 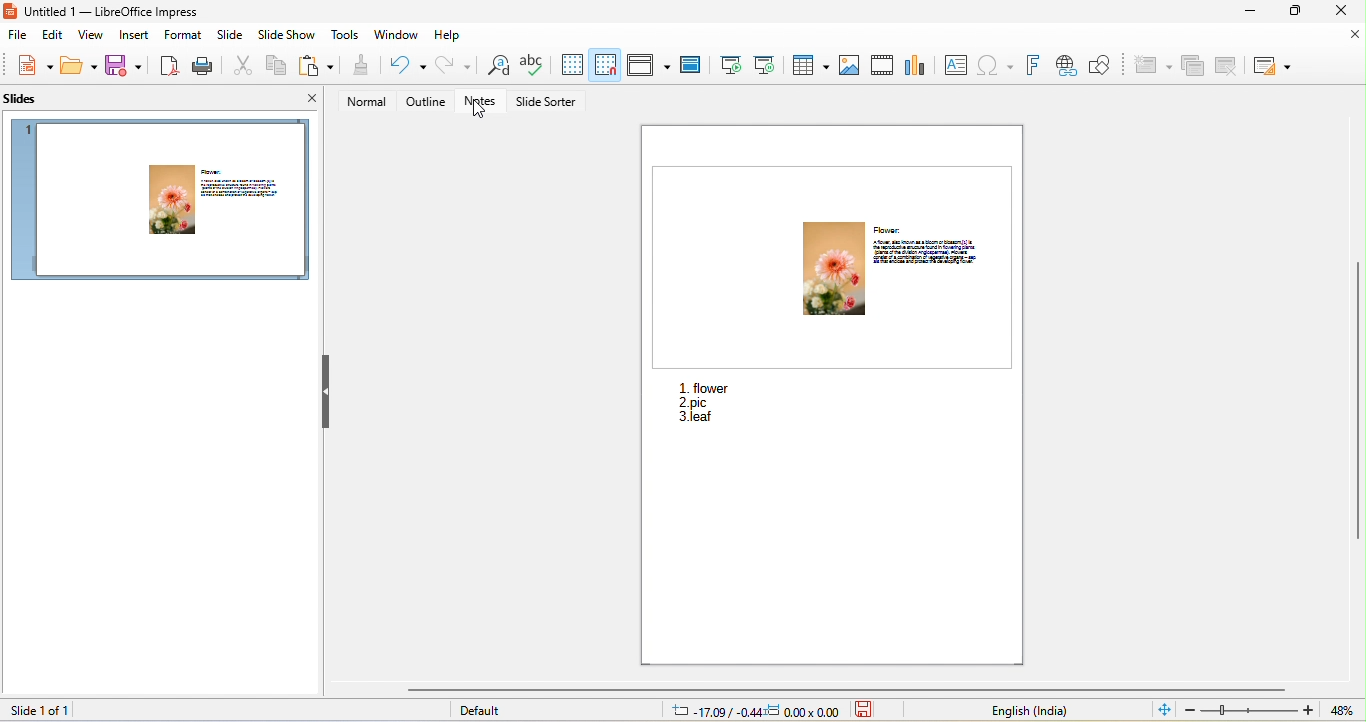 What do you see at coordinates (1192, 65) in the screenshot?
I see `multi calculator` at bounding box center [1192, 65].